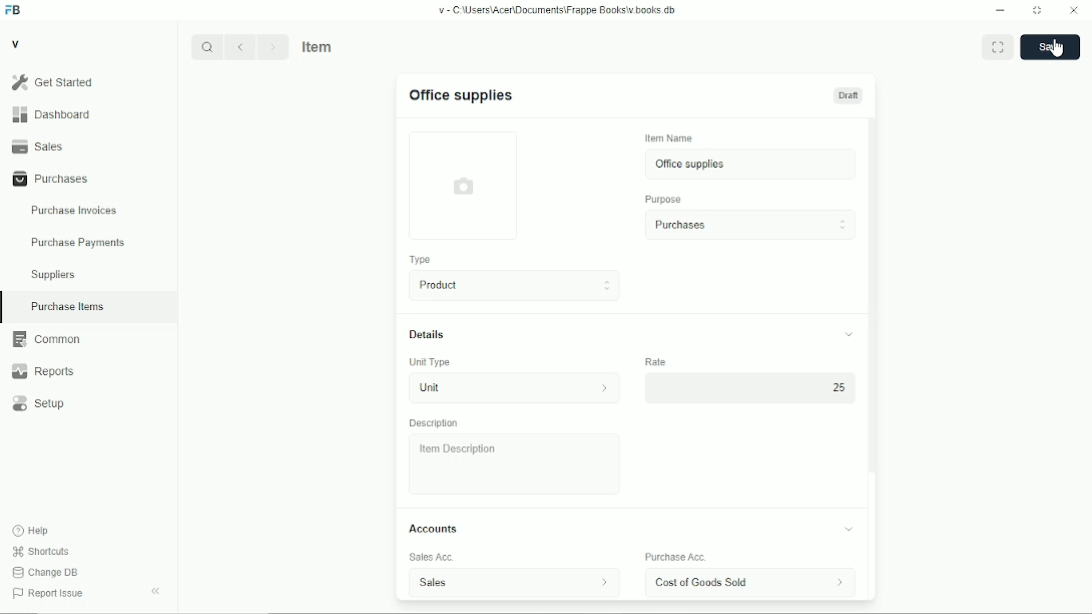 This screenshot has width=1092, height=614. Describe the element at coordinates (45, 572) in the screenshot. I see `change DB` at that location.